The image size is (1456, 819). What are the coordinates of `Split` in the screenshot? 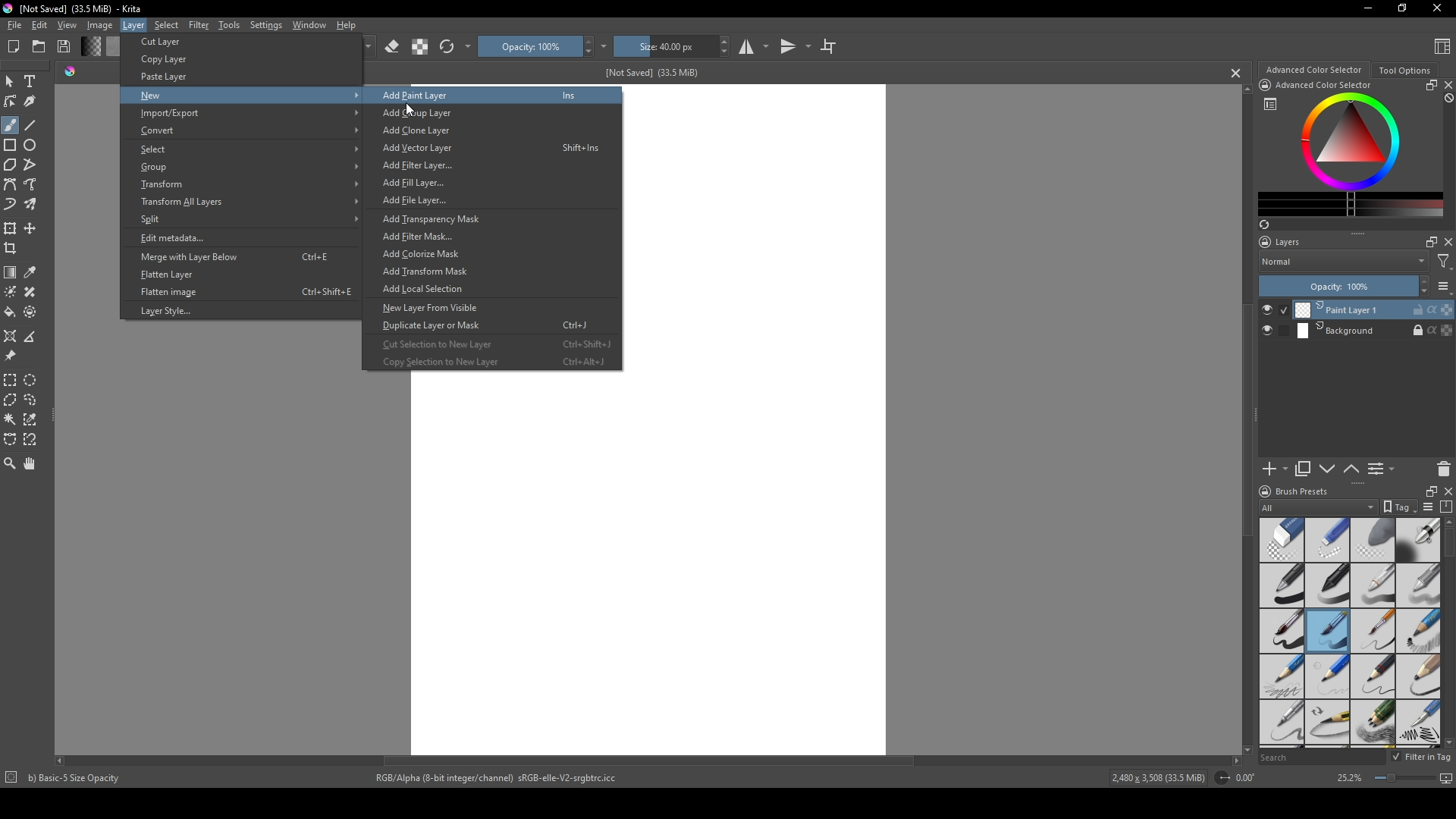 It's located at (246, 219).